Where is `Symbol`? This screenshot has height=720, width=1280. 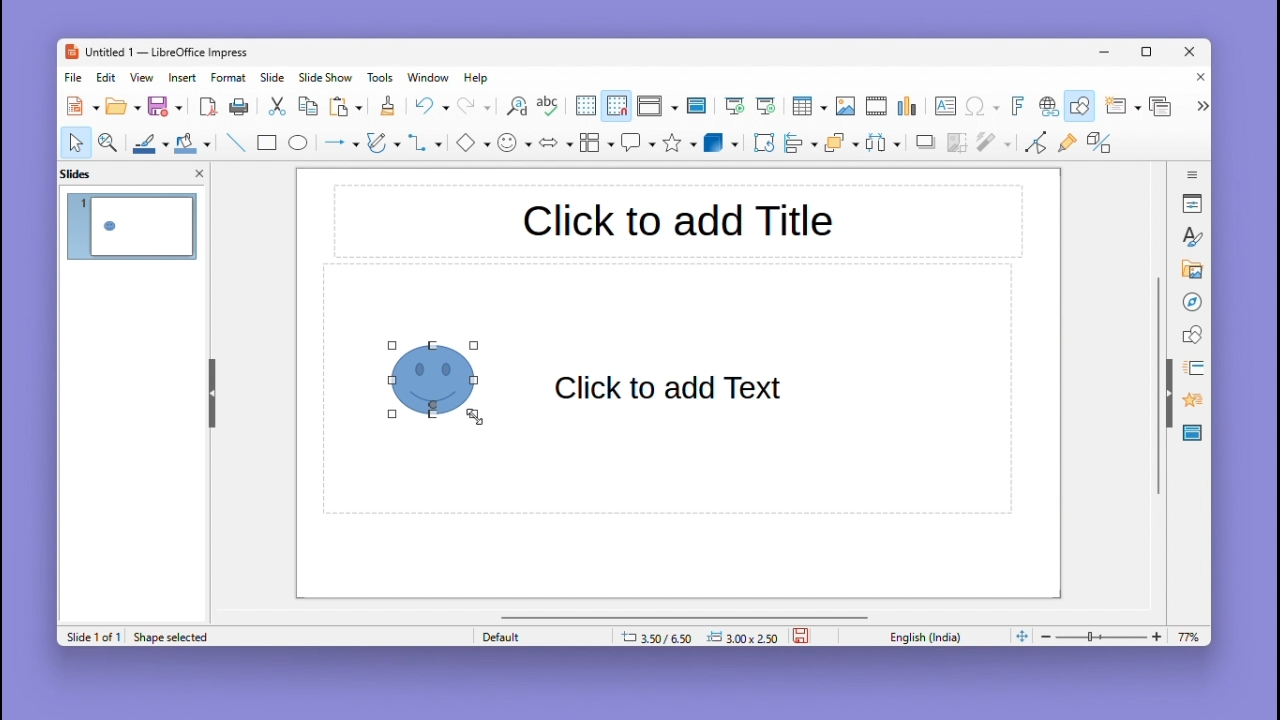 Symbol is located at coordinates (516, 142).